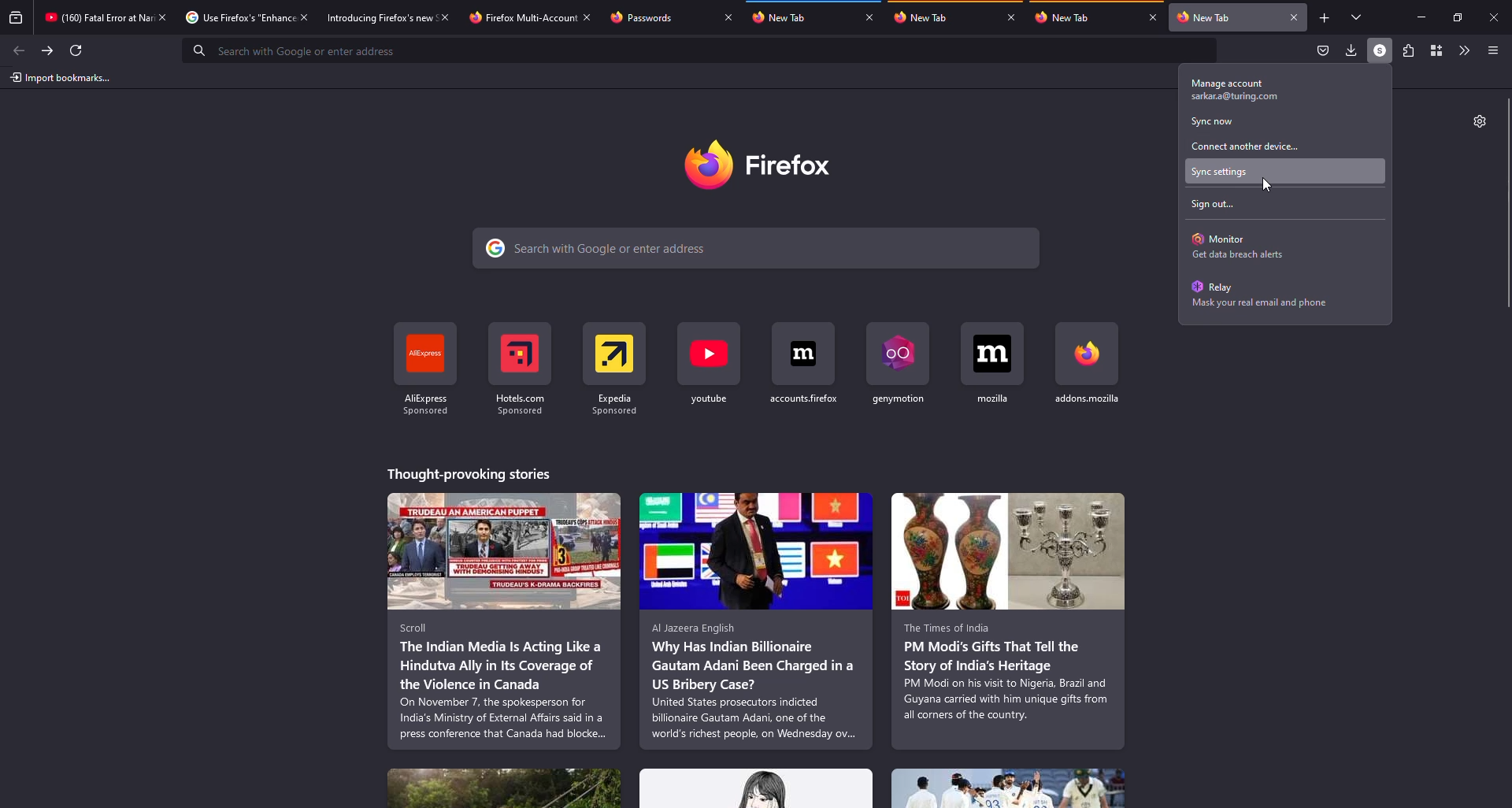  I want to click on close, so click(161, 17).